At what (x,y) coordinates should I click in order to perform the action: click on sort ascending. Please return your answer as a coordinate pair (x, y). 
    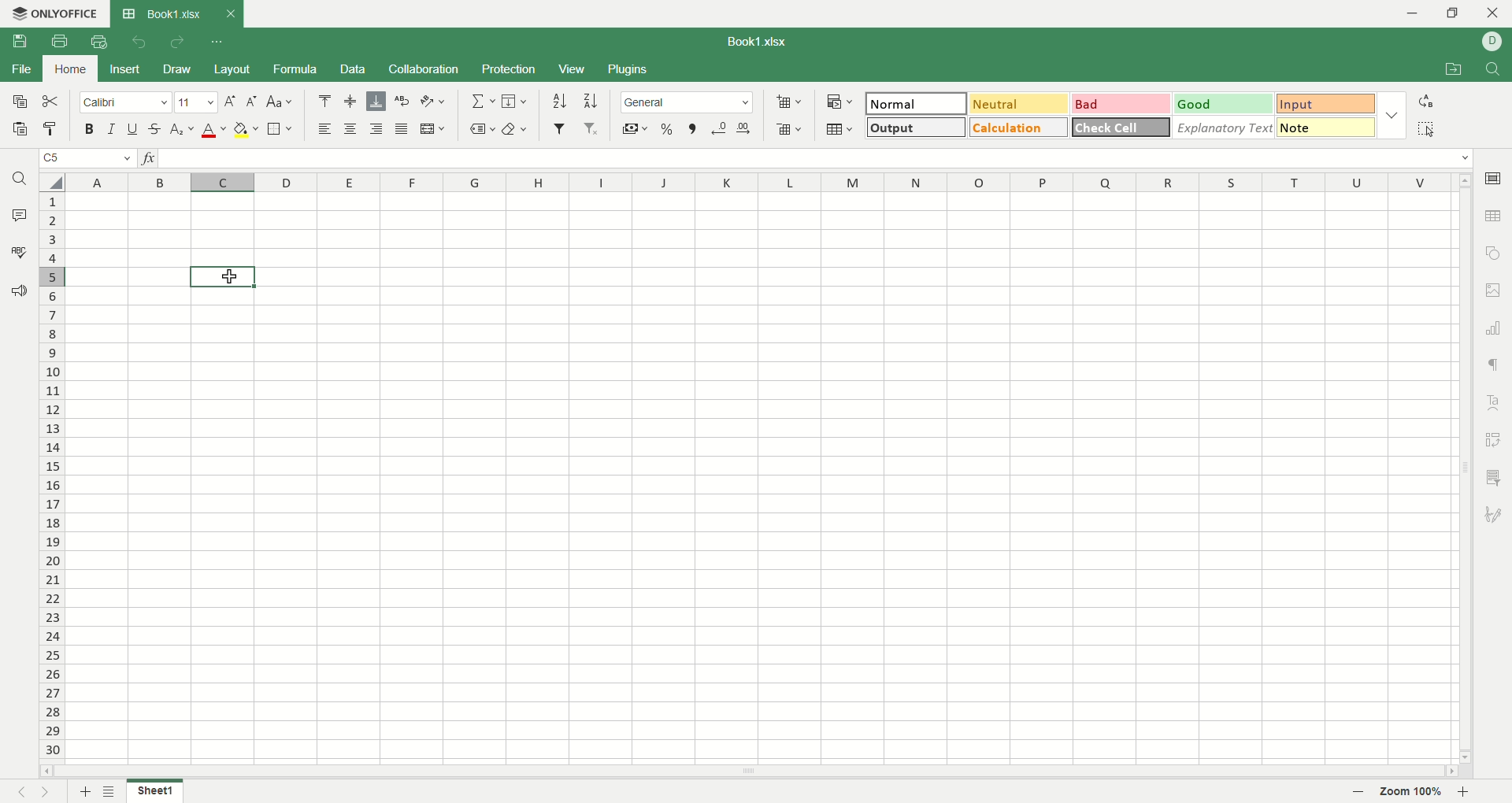
    Looking at the image, I should click on (559, 101).